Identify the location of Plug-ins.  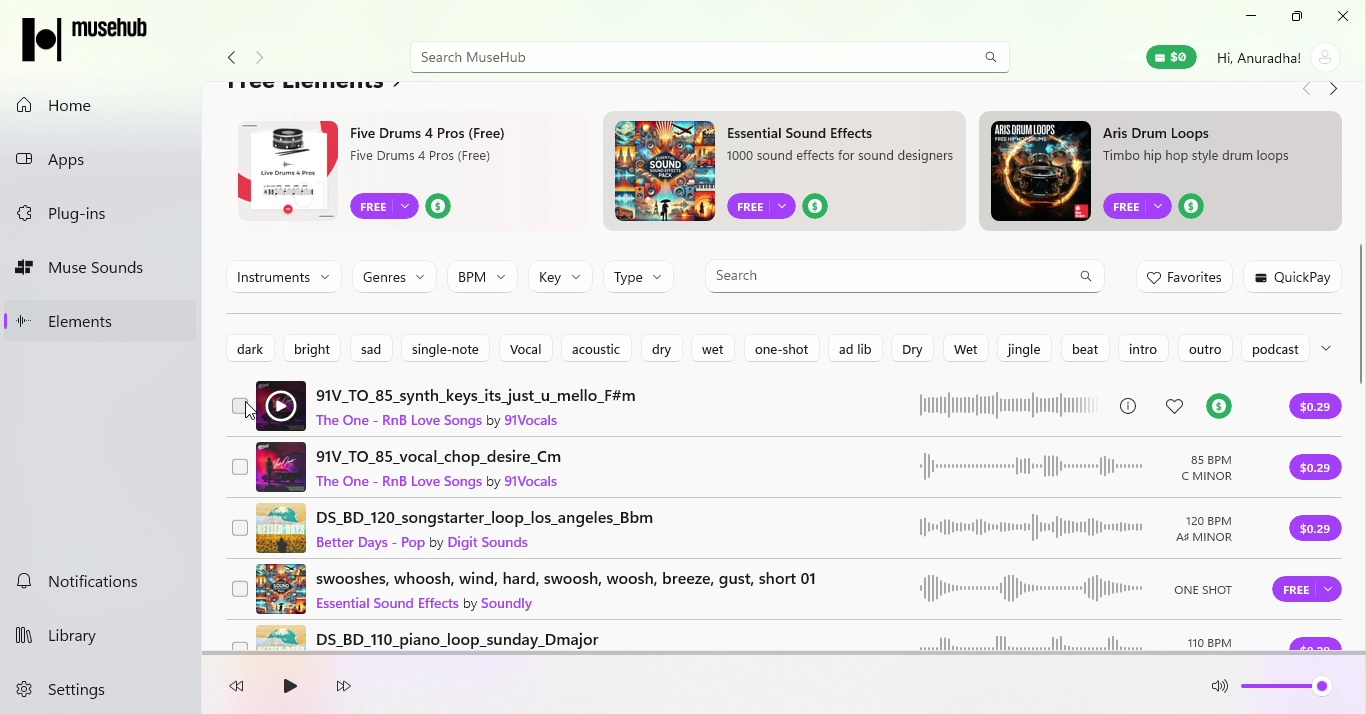
(105, 215).